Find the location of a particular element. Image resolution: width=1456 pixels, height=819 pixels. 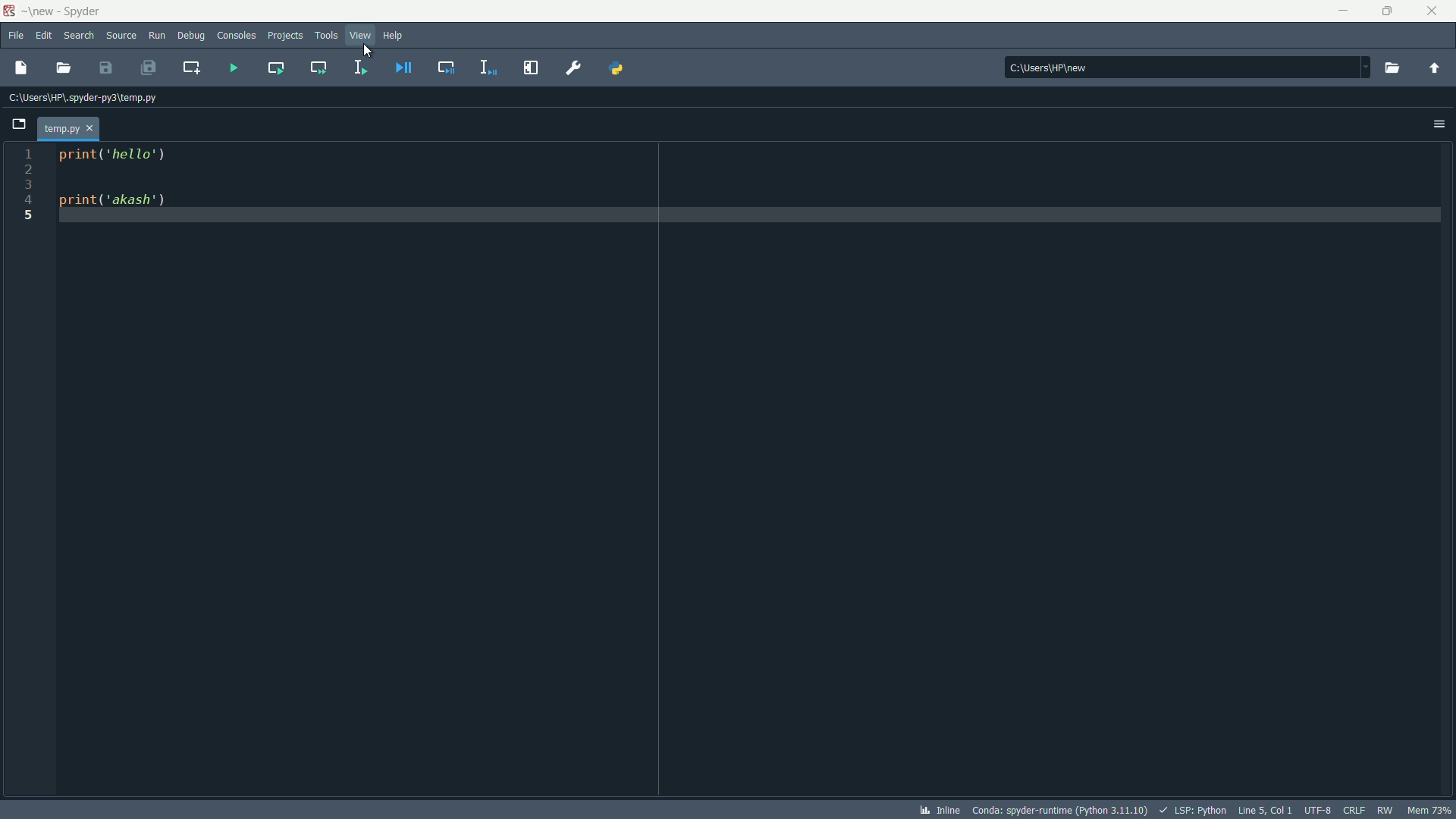

source menu is located at coordinates (123, 36).